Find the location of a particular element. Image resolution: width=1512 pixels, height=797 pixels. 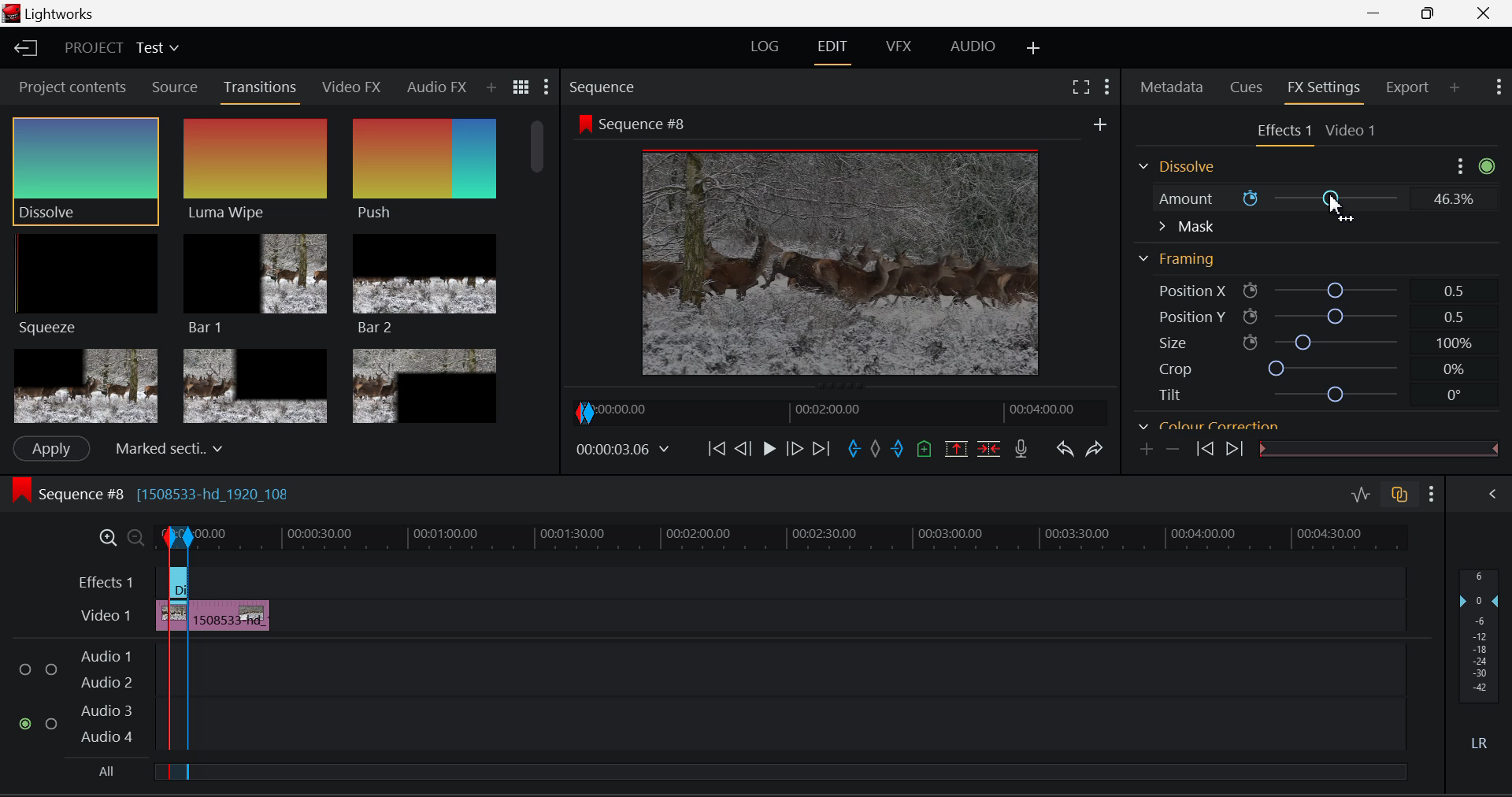

Centered here is located at coordinates (165, 447).